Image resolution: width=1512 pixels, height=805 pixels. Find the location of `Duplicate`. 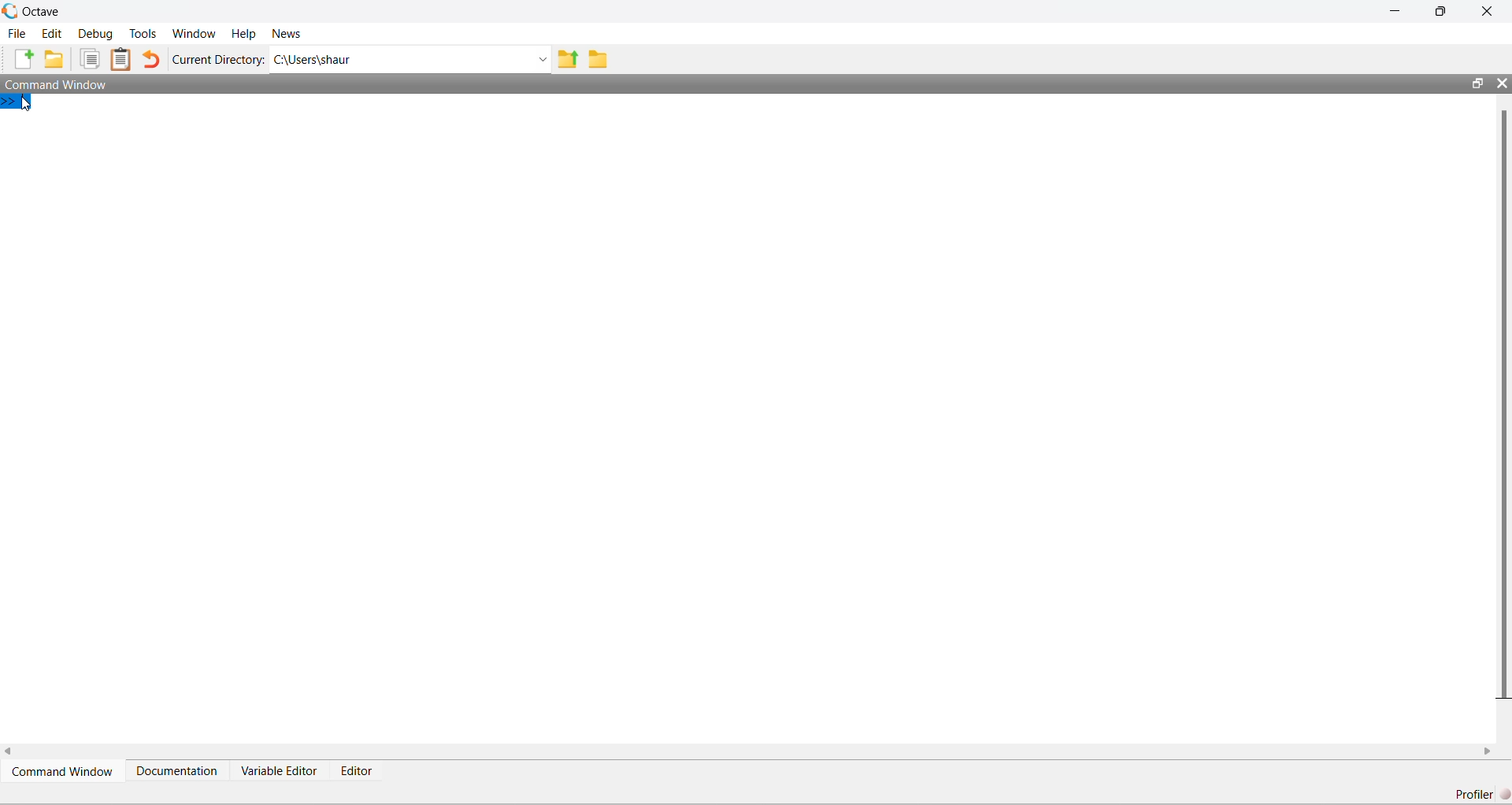

Duplicate is located at coordinates (91, 60).